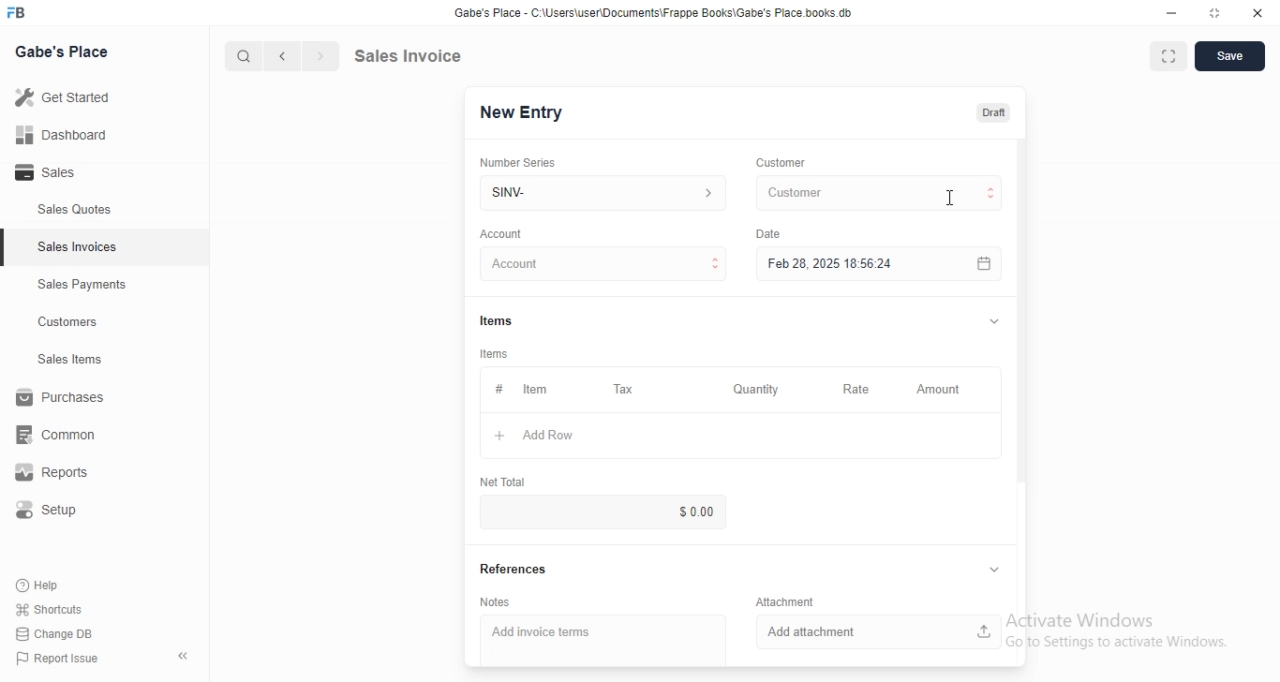 This screenshot has width=1280, height=682. Describe the element at coordinates (607, 264) in the screenshot. I see `Account` at that location.